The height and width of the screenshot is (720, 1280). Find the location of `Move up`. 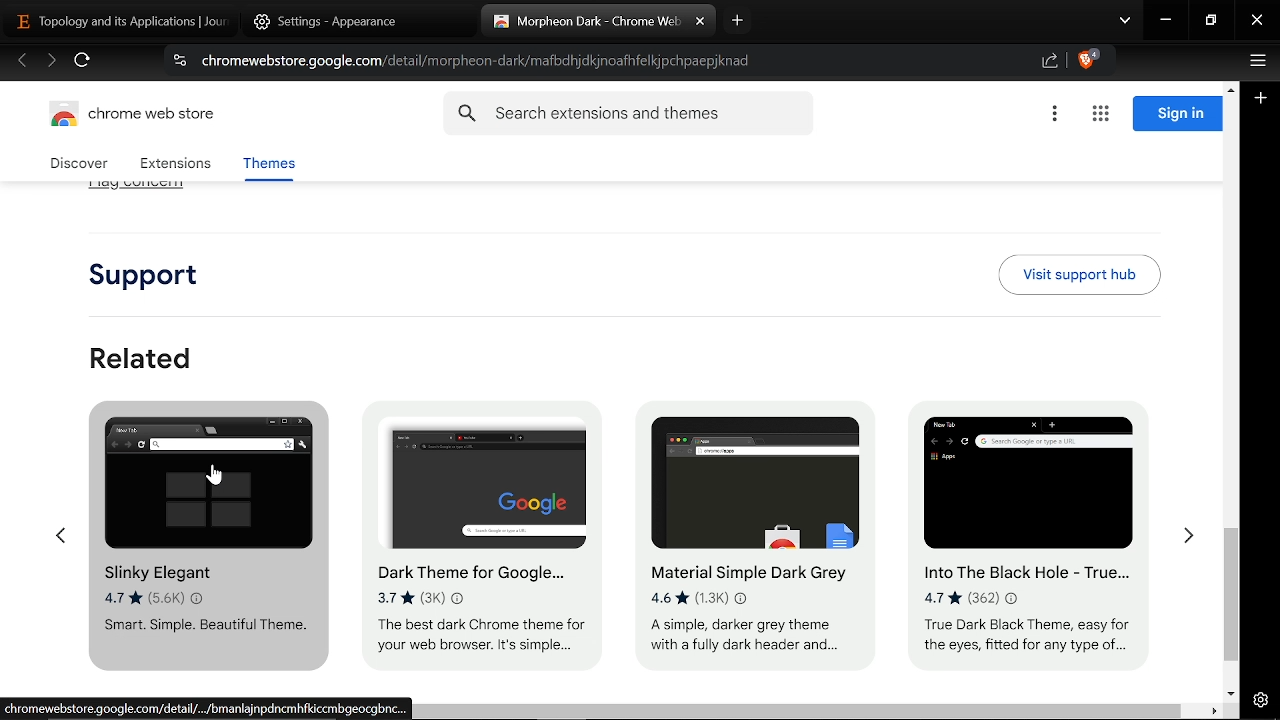

Move up is located at coordinates (1230, 87).